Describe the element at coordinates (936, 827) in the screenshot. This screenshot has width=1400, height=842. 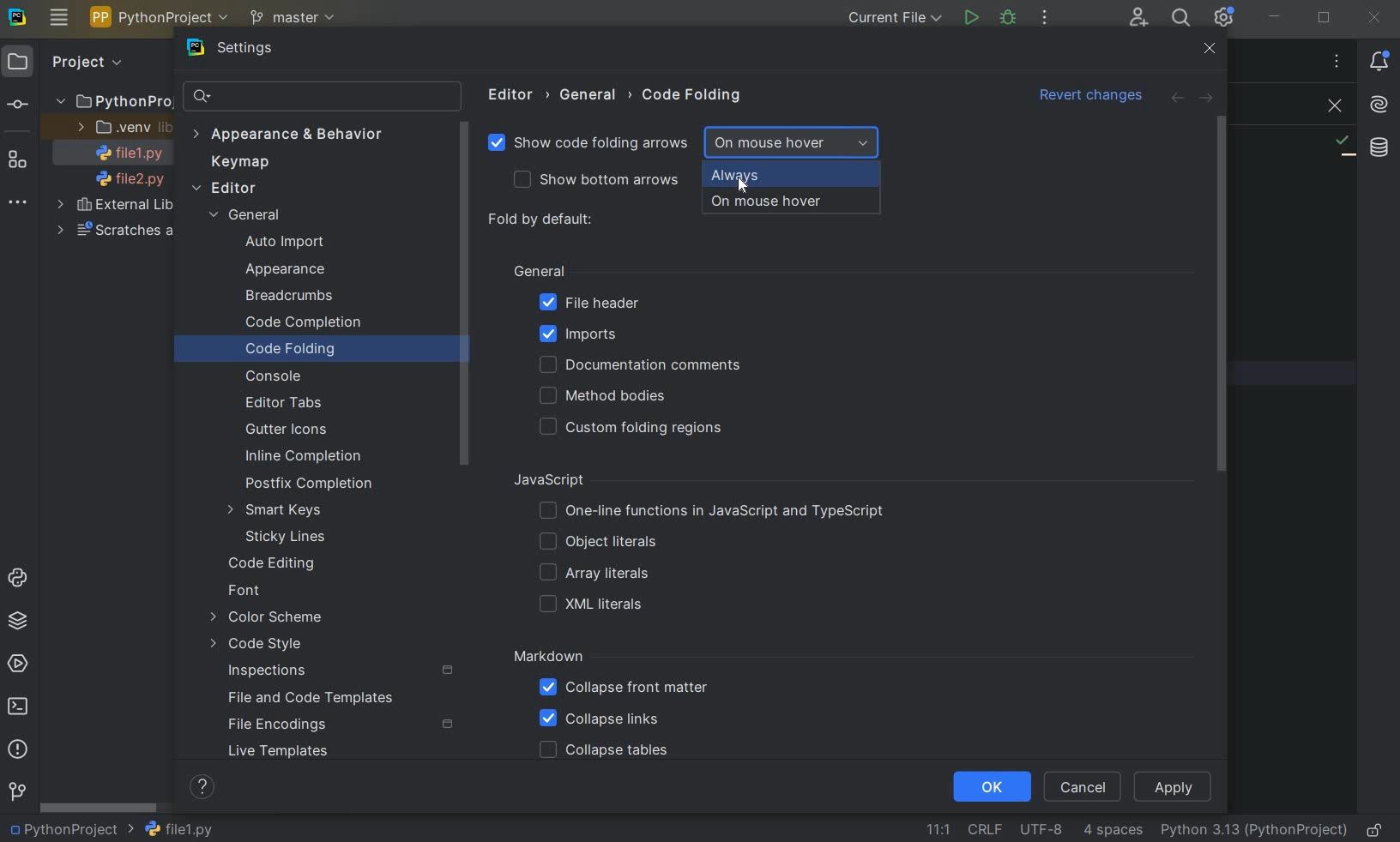
I see `GO TO LINE` at that location.